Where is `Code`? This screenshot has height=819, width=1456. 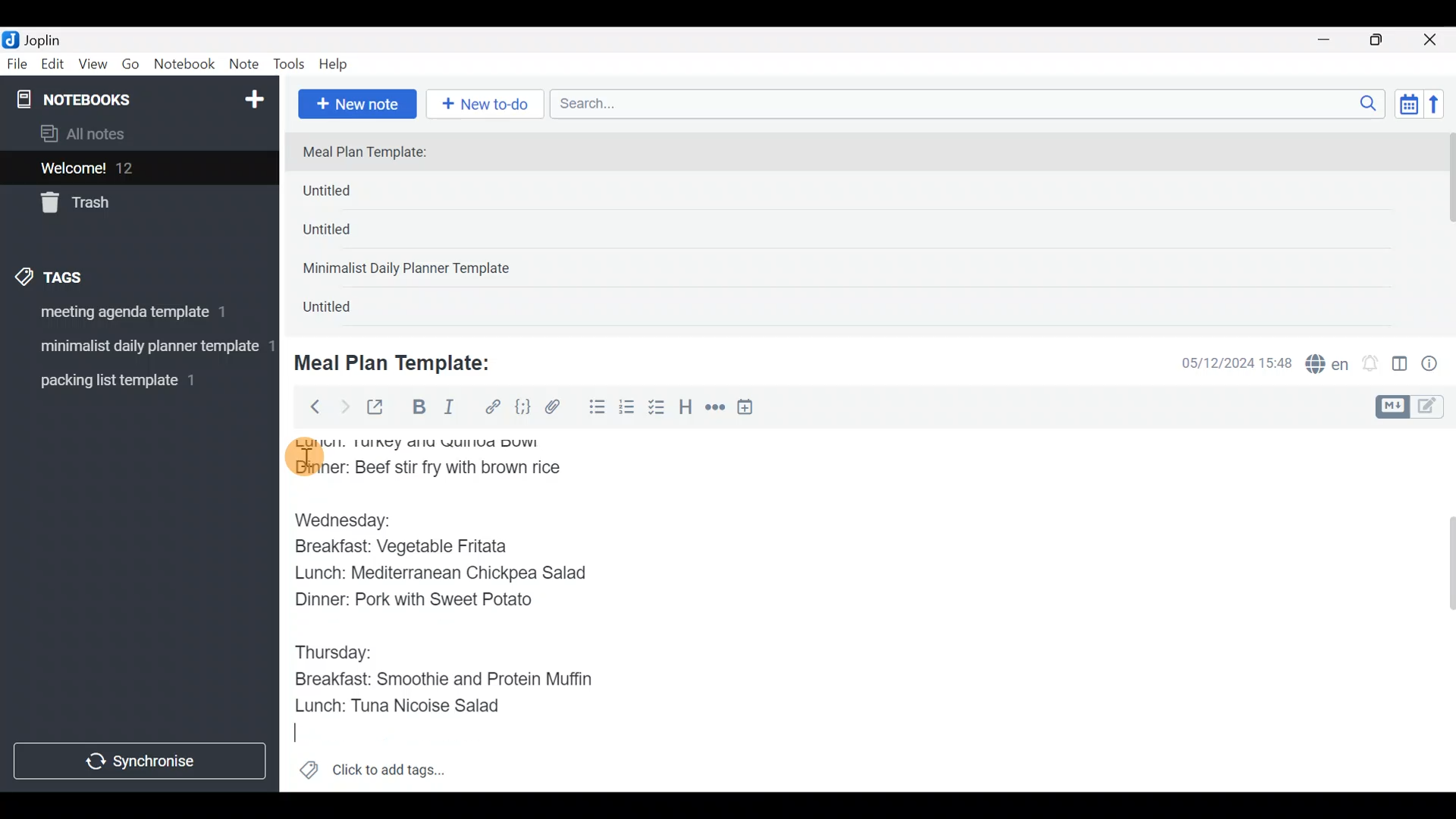 Code is located at coordinates (521, 406).